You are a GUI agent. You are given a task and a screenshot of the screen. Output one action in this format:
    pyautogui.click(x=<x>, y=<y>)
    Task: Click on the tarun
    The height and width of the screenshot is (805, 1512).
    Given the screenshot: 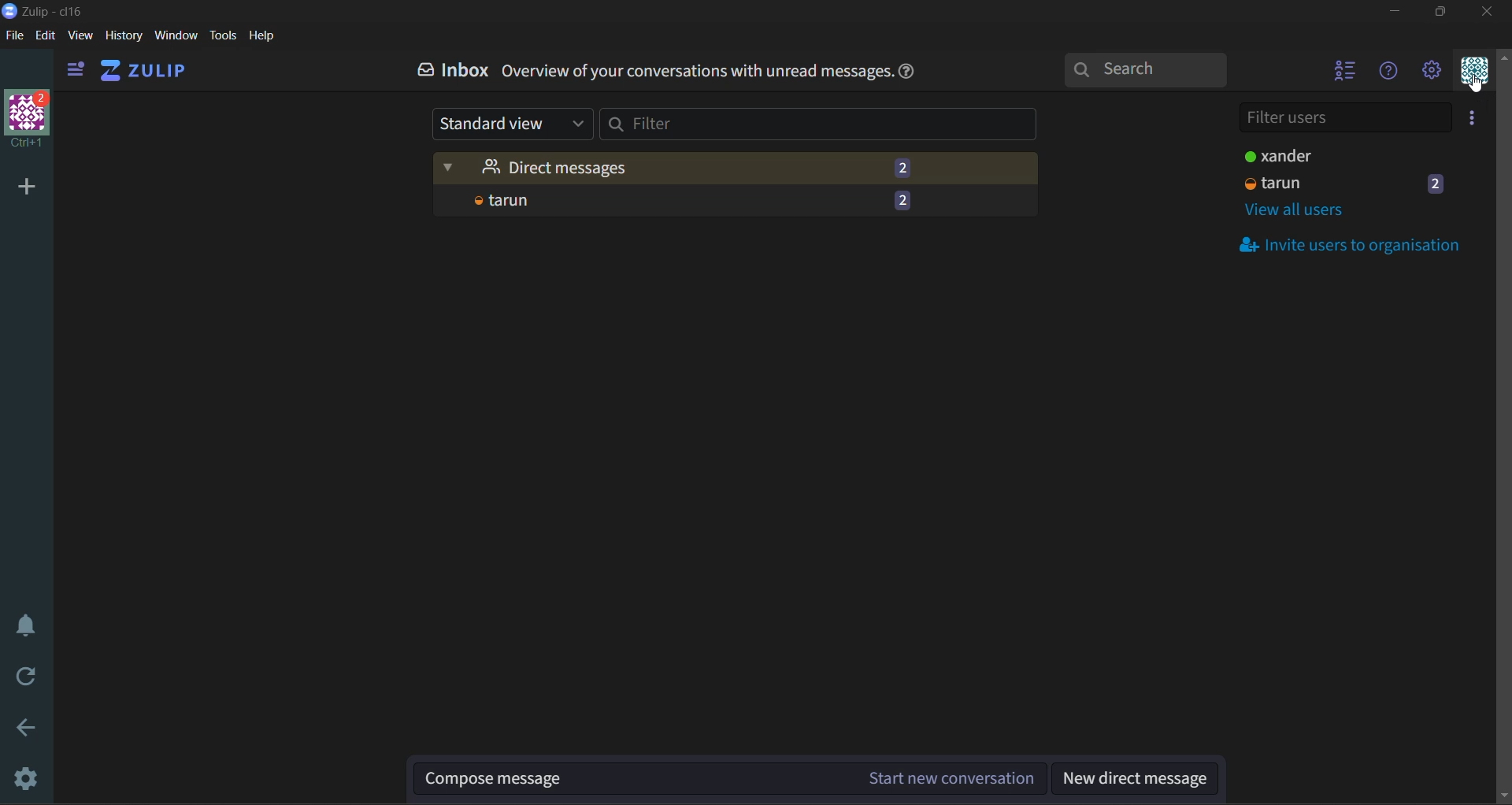 What is the action you would take?
    pyautogui.click(x=726, y=200)
    